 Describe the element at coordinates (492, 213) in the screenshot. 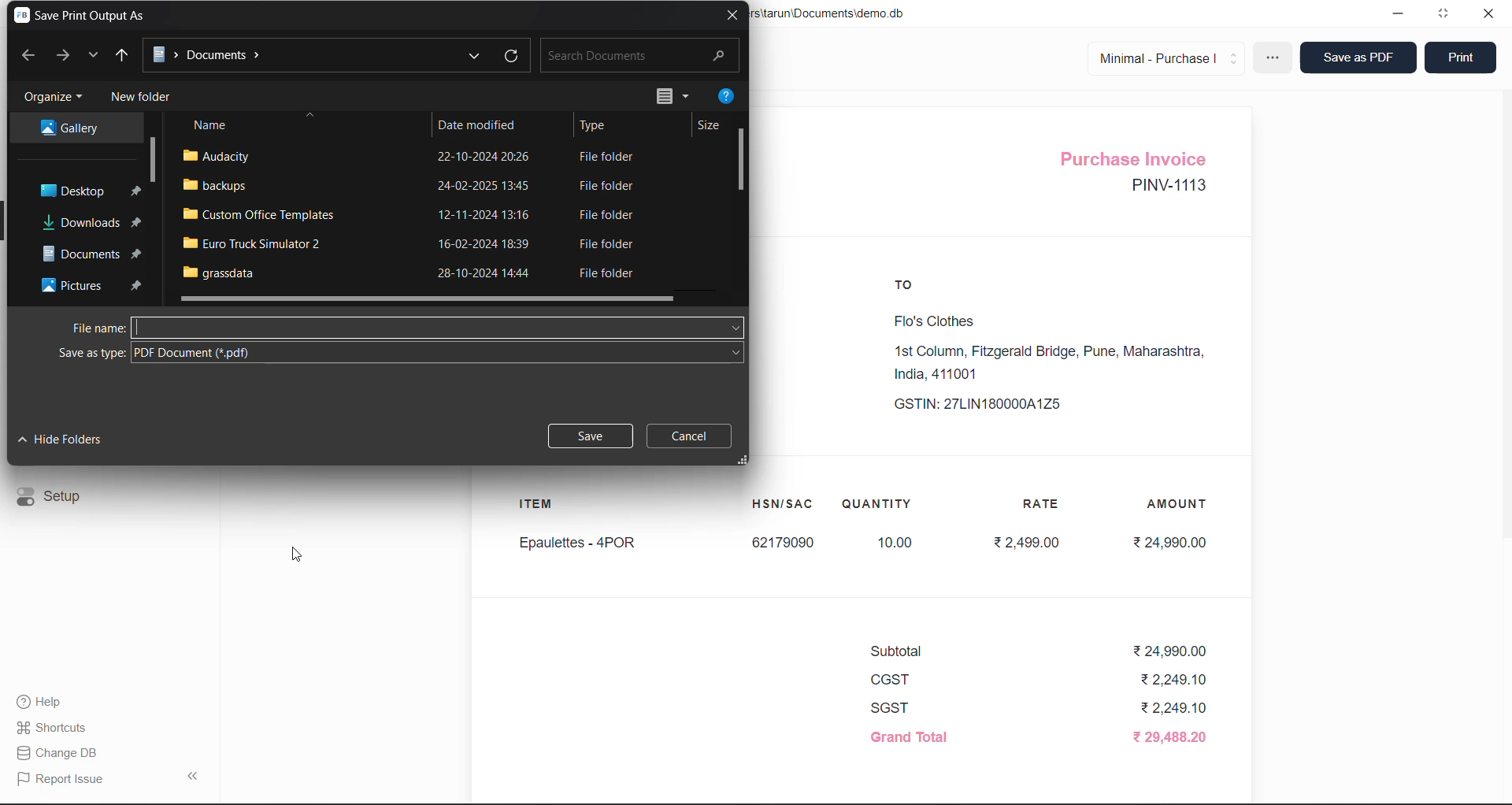

I see `12-11-2024 13:16` at that location.